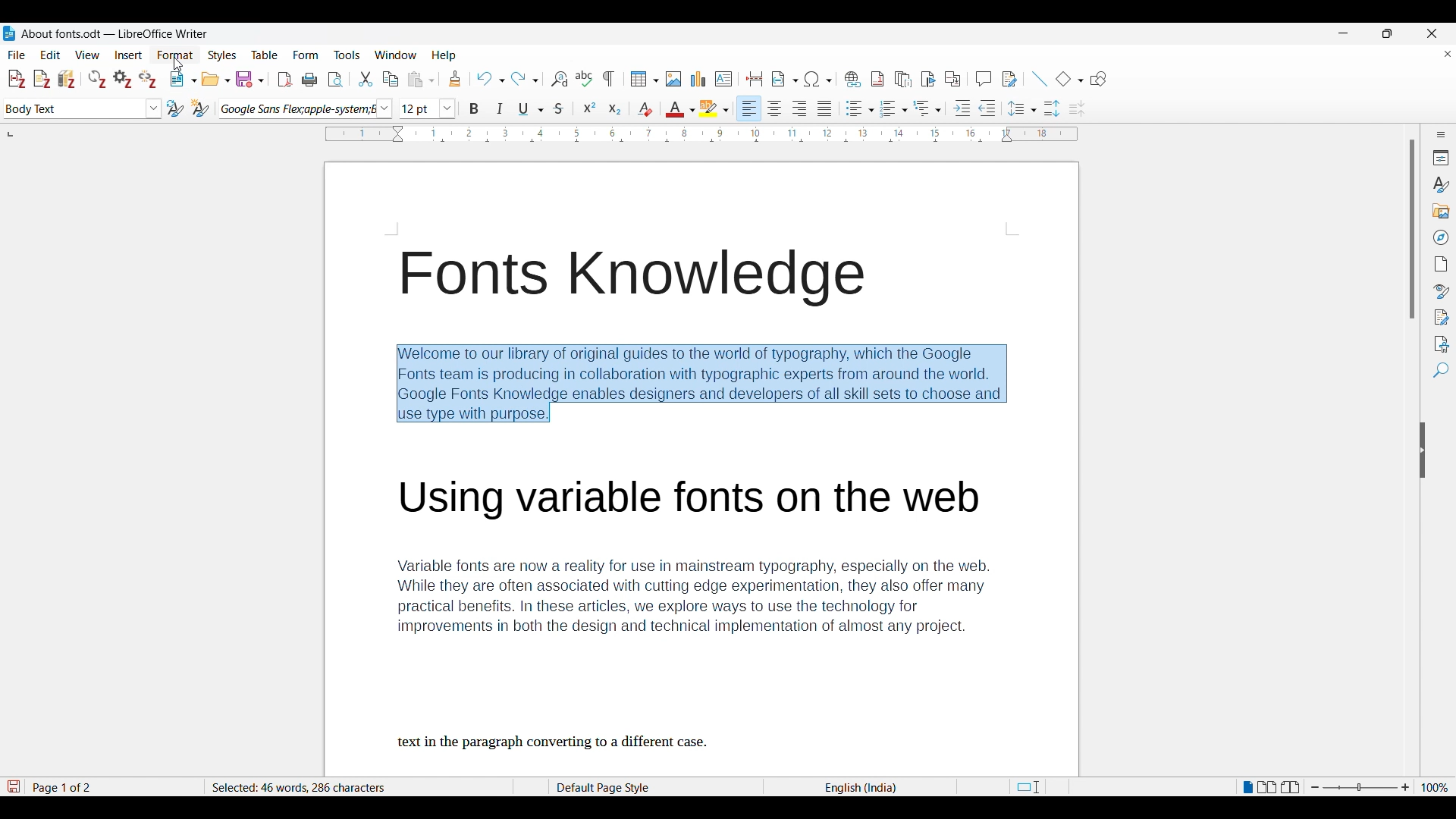 This screenshot has width=1456, height=819. I want to click on Insert line, so click(1039, 79).